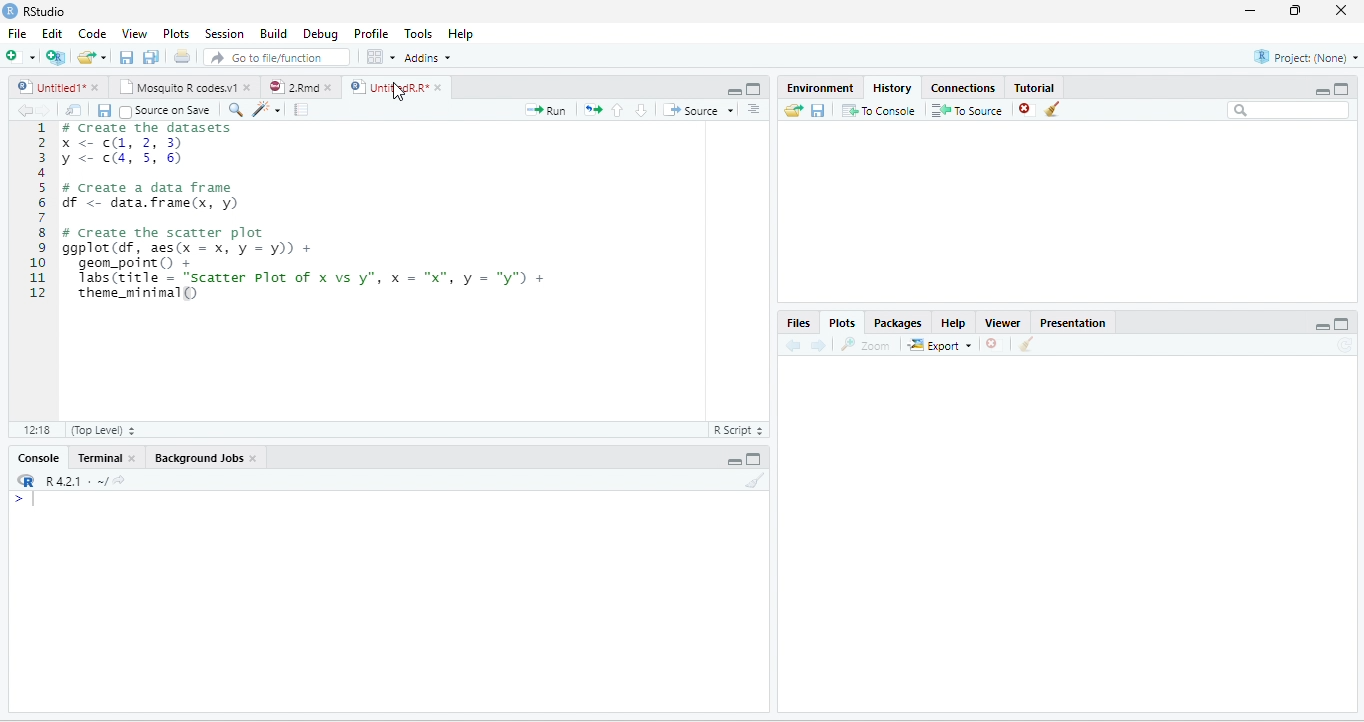 The height and width of the screenshot is (722, 1364). Describe the element at coordinates (101, 429) in the screenshot. I see `(Top Level)` at that location.